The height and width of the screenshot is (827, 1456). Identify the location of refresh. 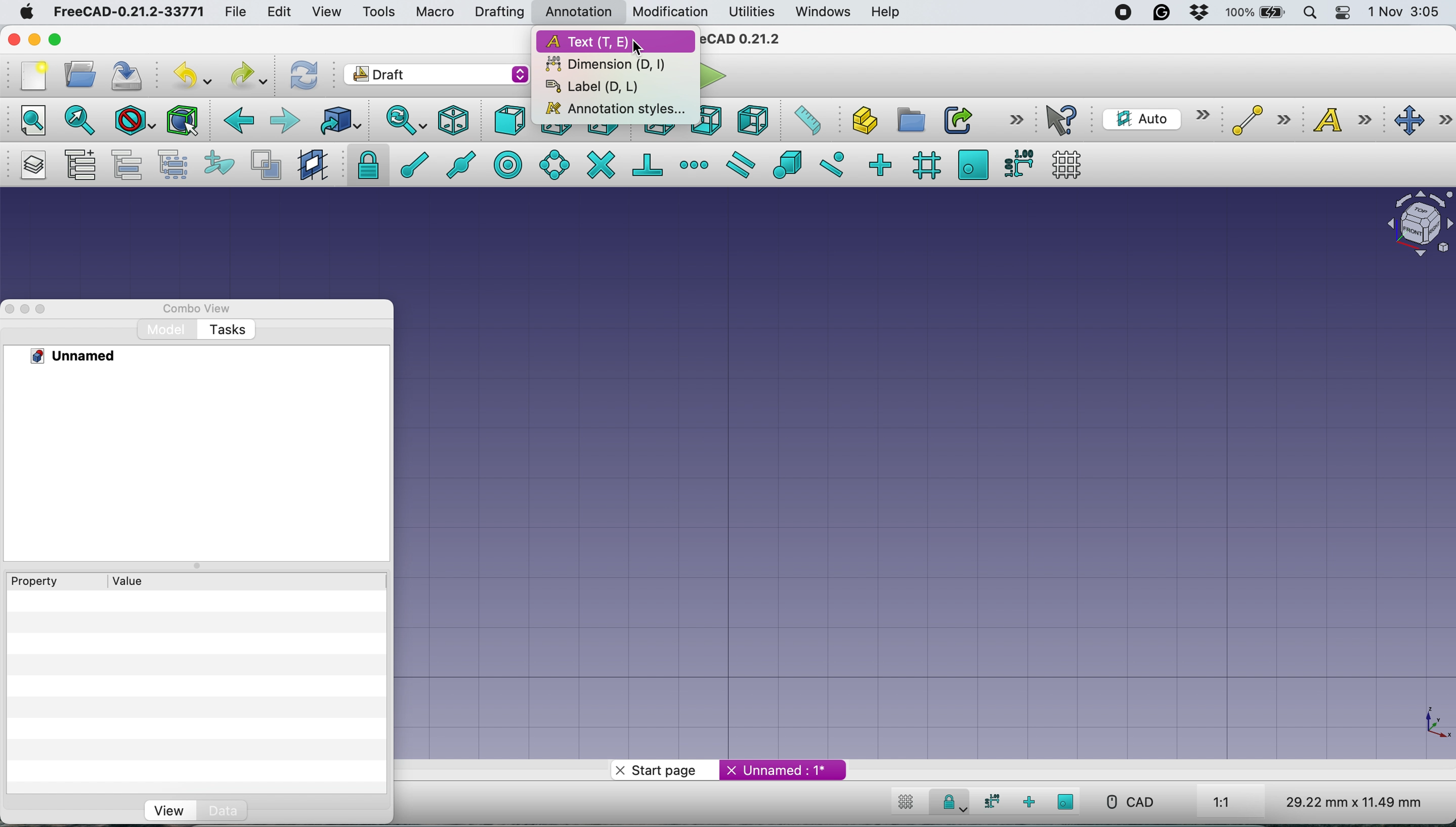
(302, 74).